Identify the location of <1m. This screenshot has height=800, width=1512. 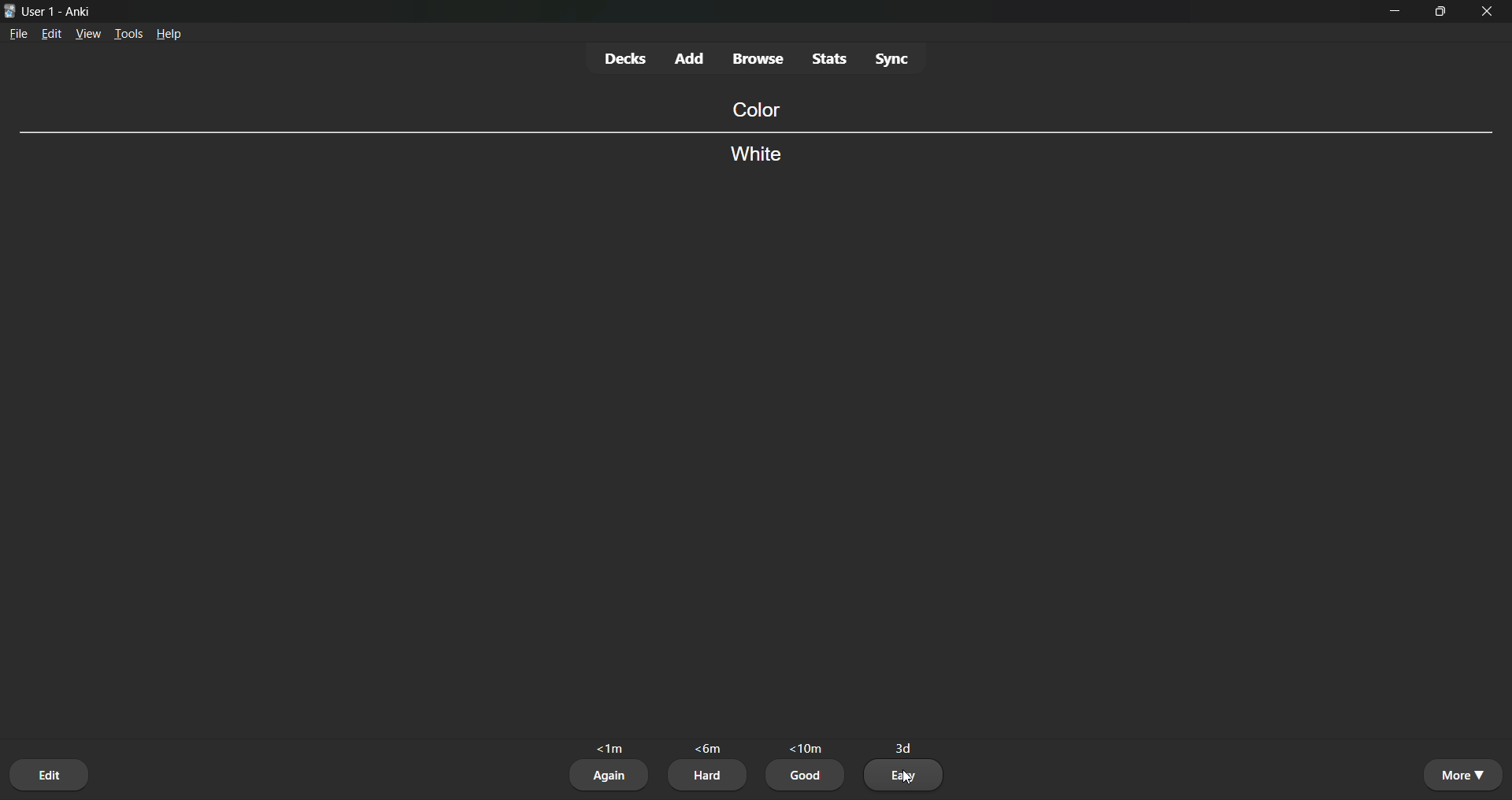
(612, 746).